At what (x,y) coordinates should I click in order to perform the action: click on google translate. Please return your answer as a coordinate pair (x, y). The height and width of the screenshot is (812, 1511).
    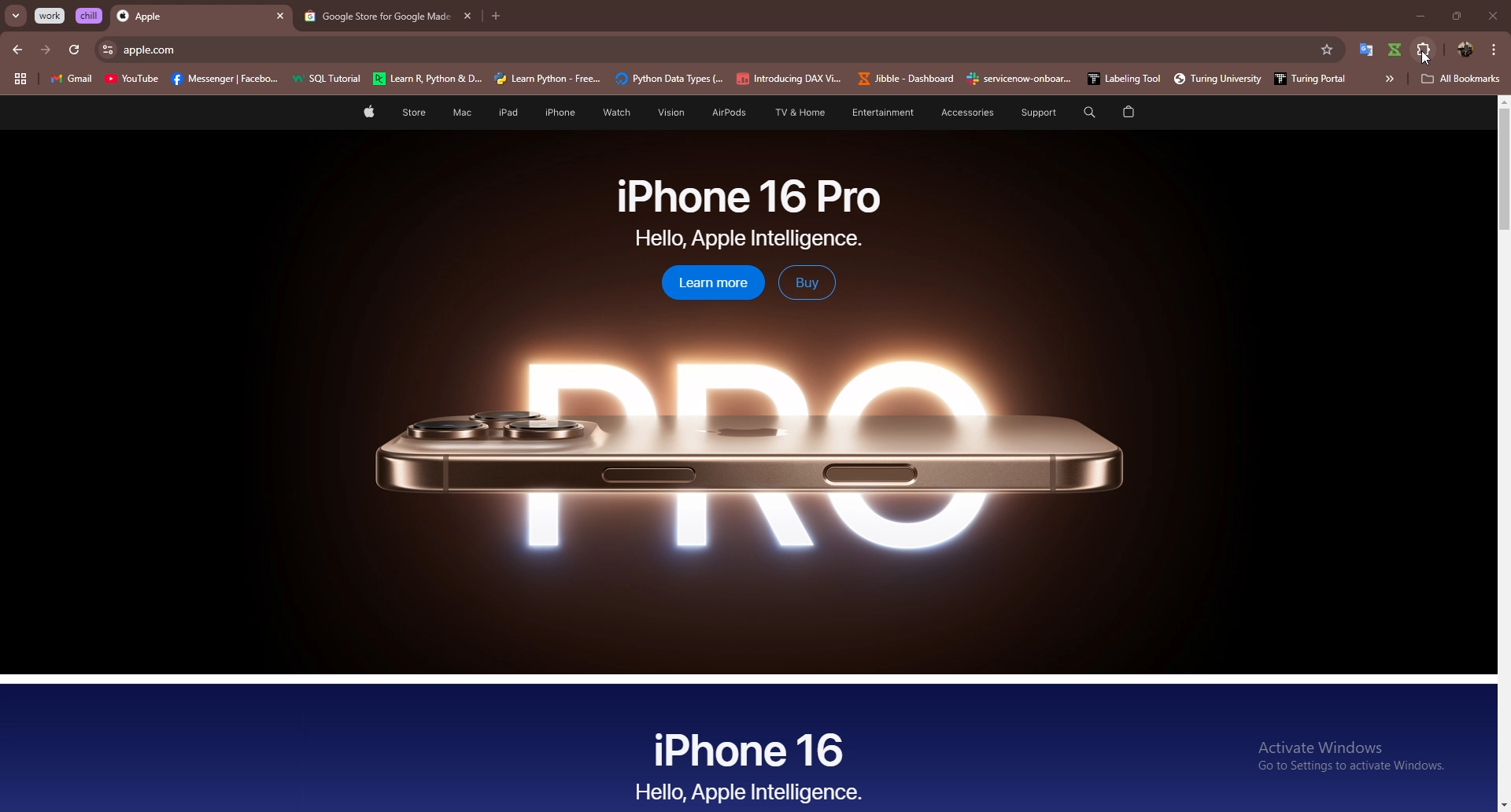
    Looking at the image, I should click on (1365, 50).